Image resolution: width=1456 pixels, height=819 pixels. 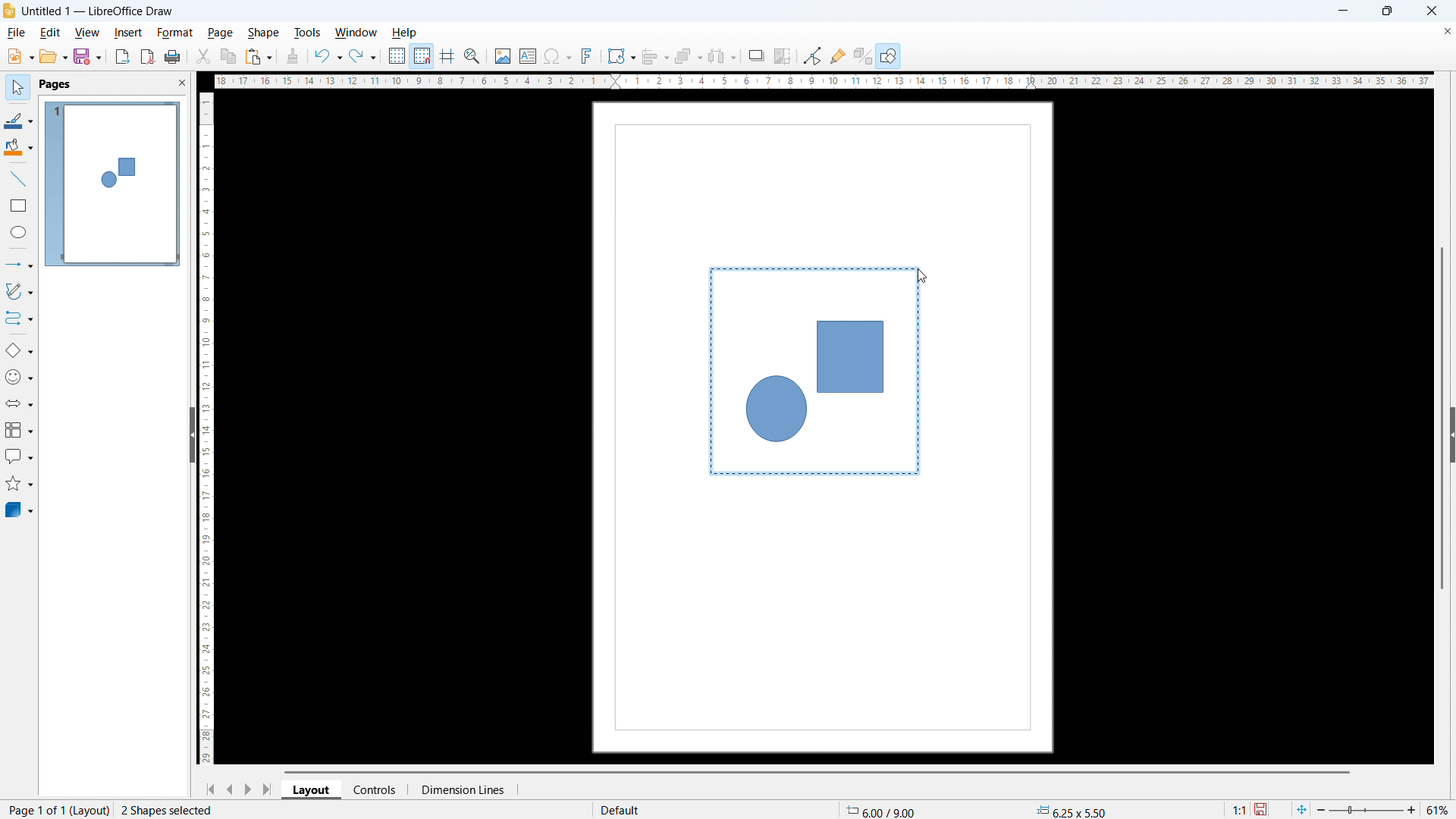 What do you see at coordinates (814, 57) in the screenshot?
I see `` at bounding box center [814, 57].